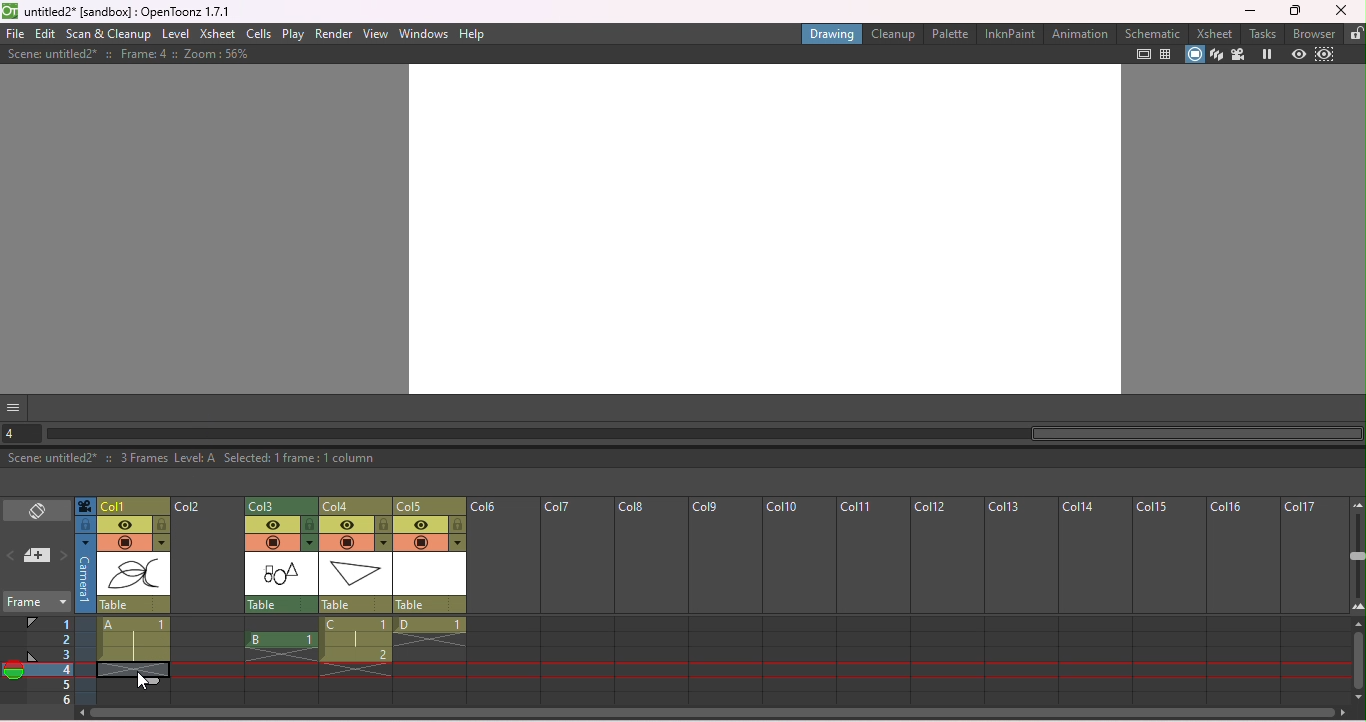 The height and width of the screenshot is (722, 1366). I want to click on Cleanup, so click(896, 33).